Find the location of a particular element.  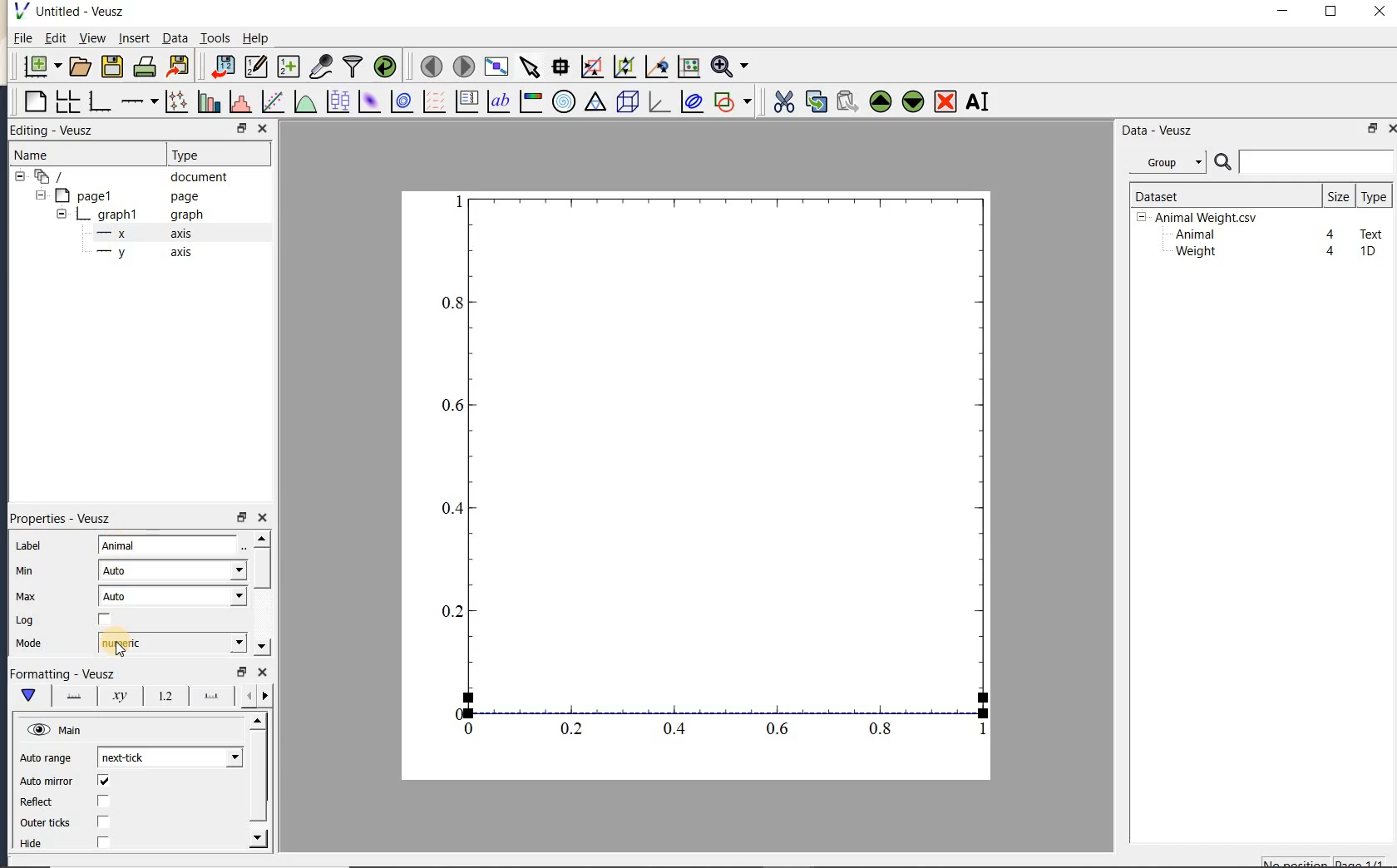

graph is located at coordinates (717, 469).